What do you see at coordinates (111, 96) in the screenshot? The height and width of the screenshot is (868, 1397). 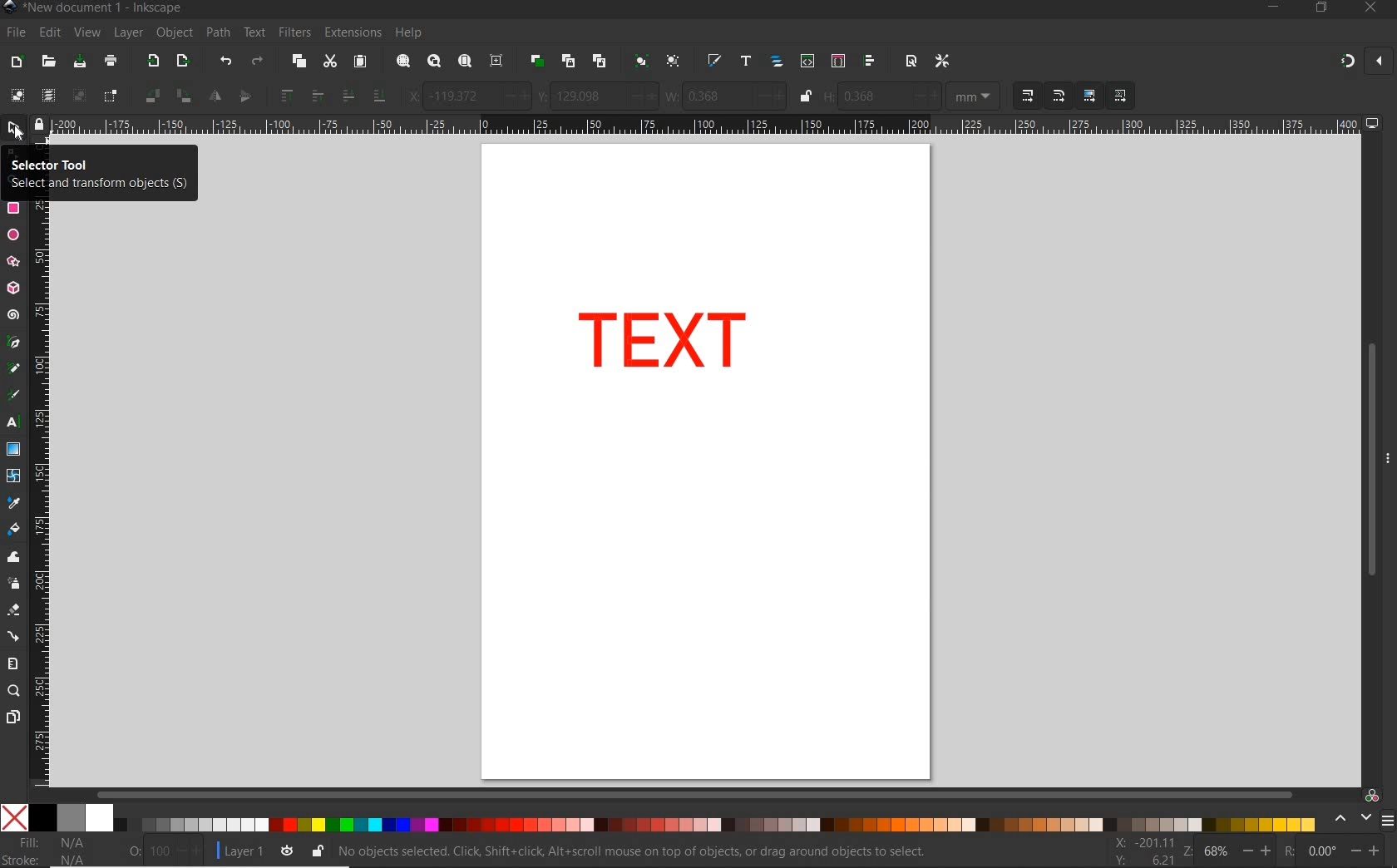 I see `TOGGLE SELECTIONBOX` at bounding box center [111, 96].